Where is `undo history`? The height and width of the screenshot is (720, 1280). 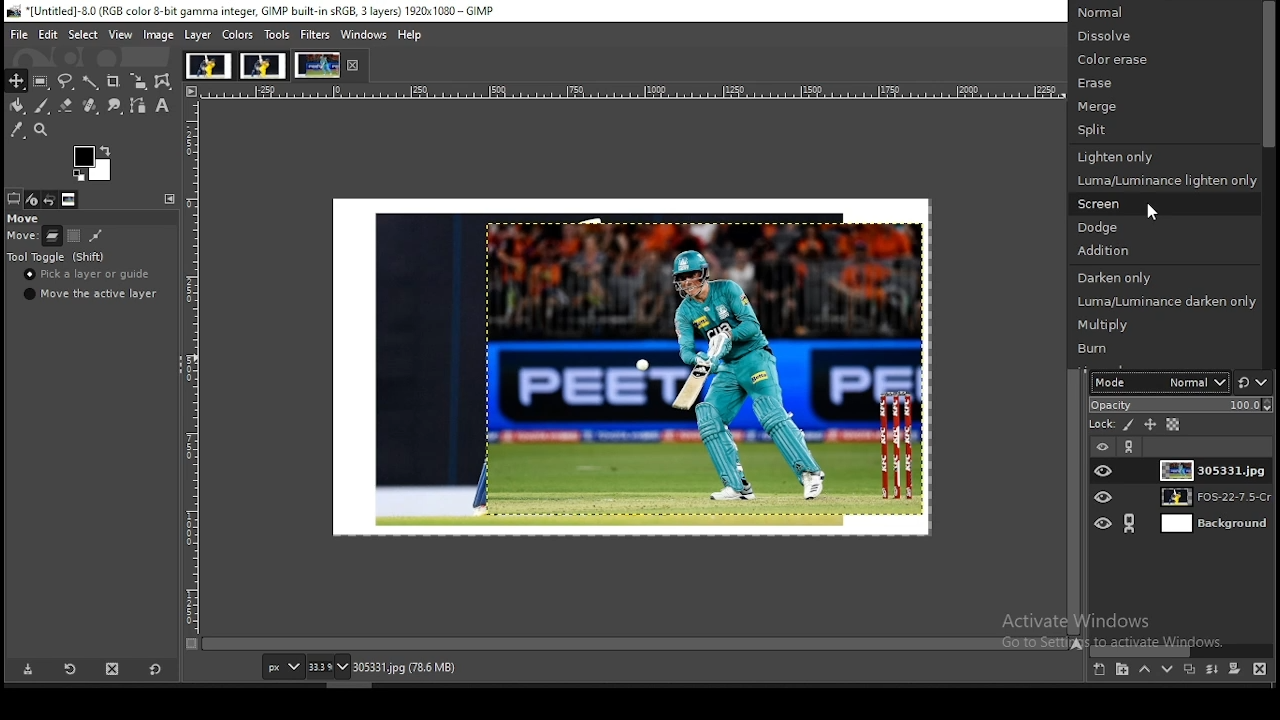
undo history is located at coordinates (50, 199).